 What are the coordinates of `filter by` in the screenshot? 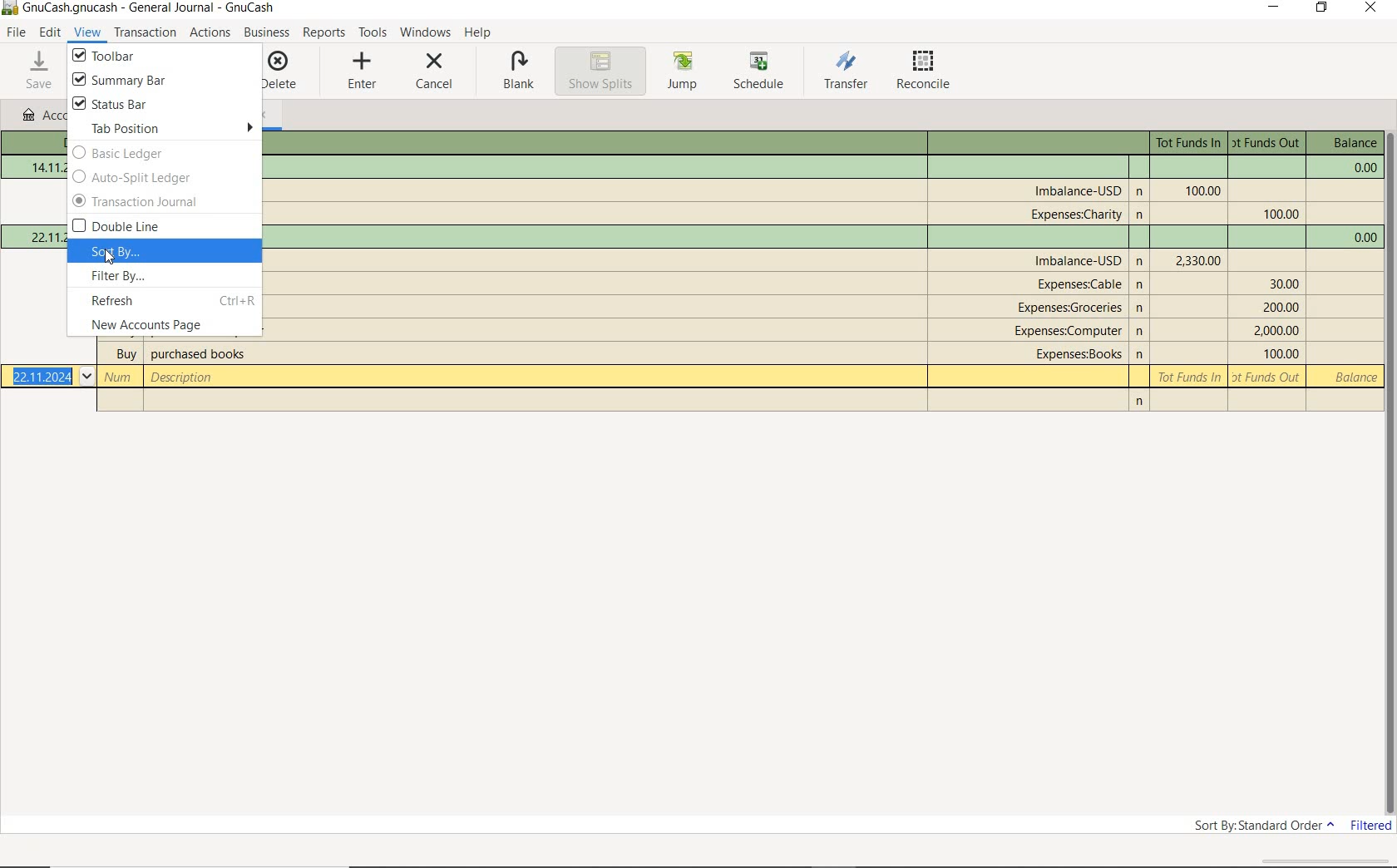 It's located at (170, 278).